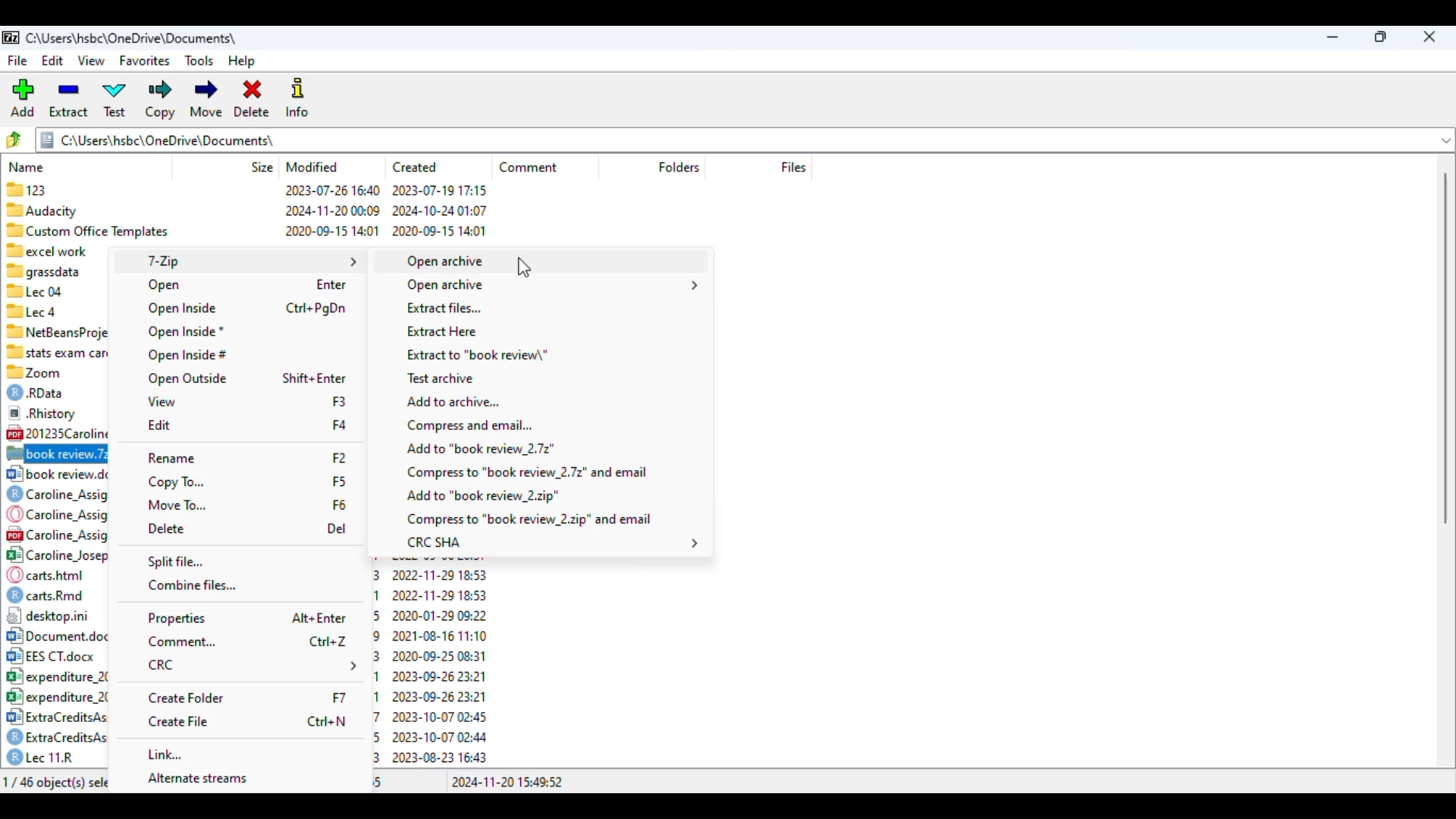 This screenshot has height=819, width=1456. I want to click on ) cartsRmd 298 2022-12-06 19:01 2022-11-29 18:53, so click(58, 595).